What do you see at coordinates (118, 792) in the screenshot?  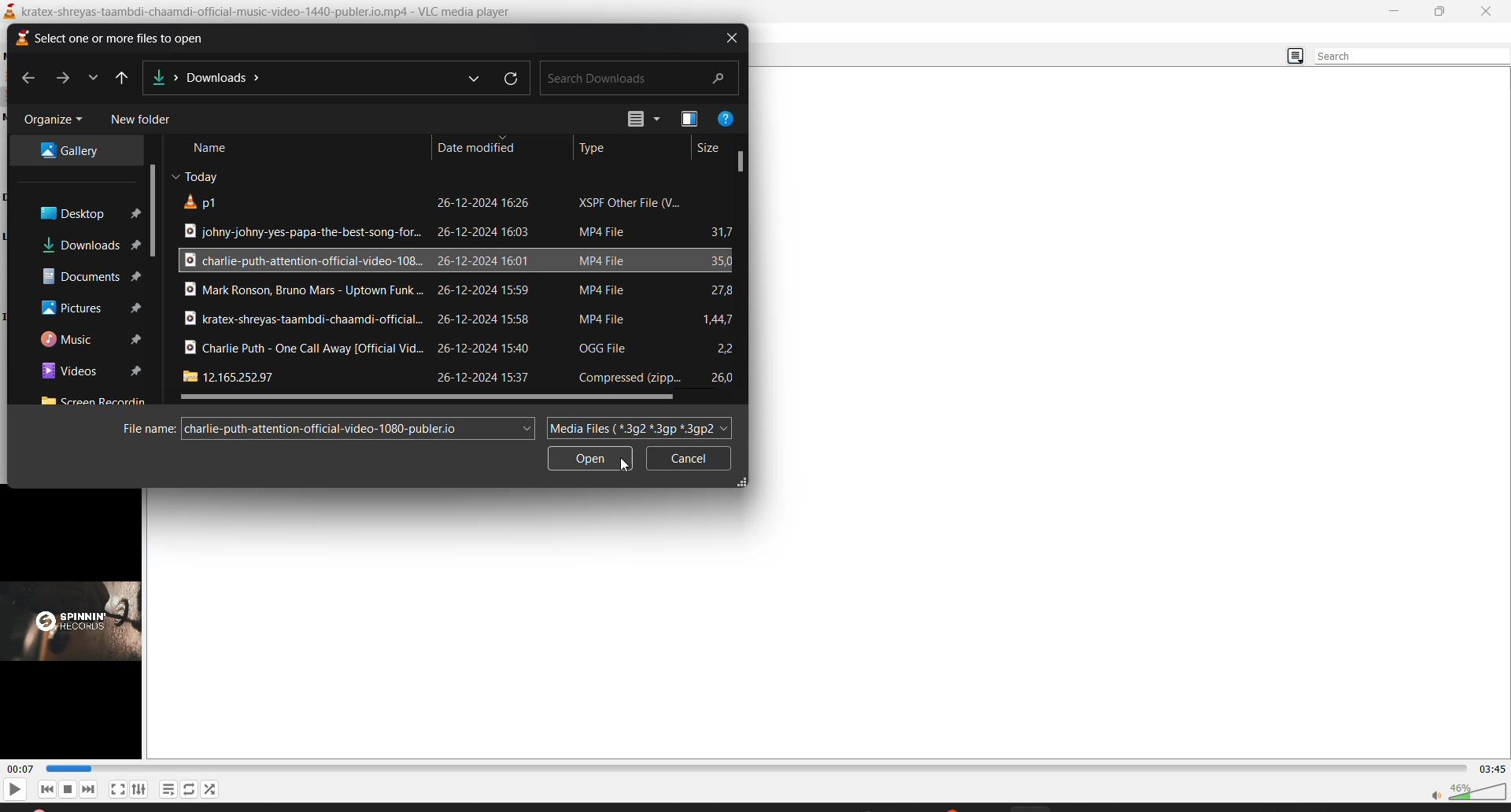 I see `fullscreen` at bounding box center [118, 792].